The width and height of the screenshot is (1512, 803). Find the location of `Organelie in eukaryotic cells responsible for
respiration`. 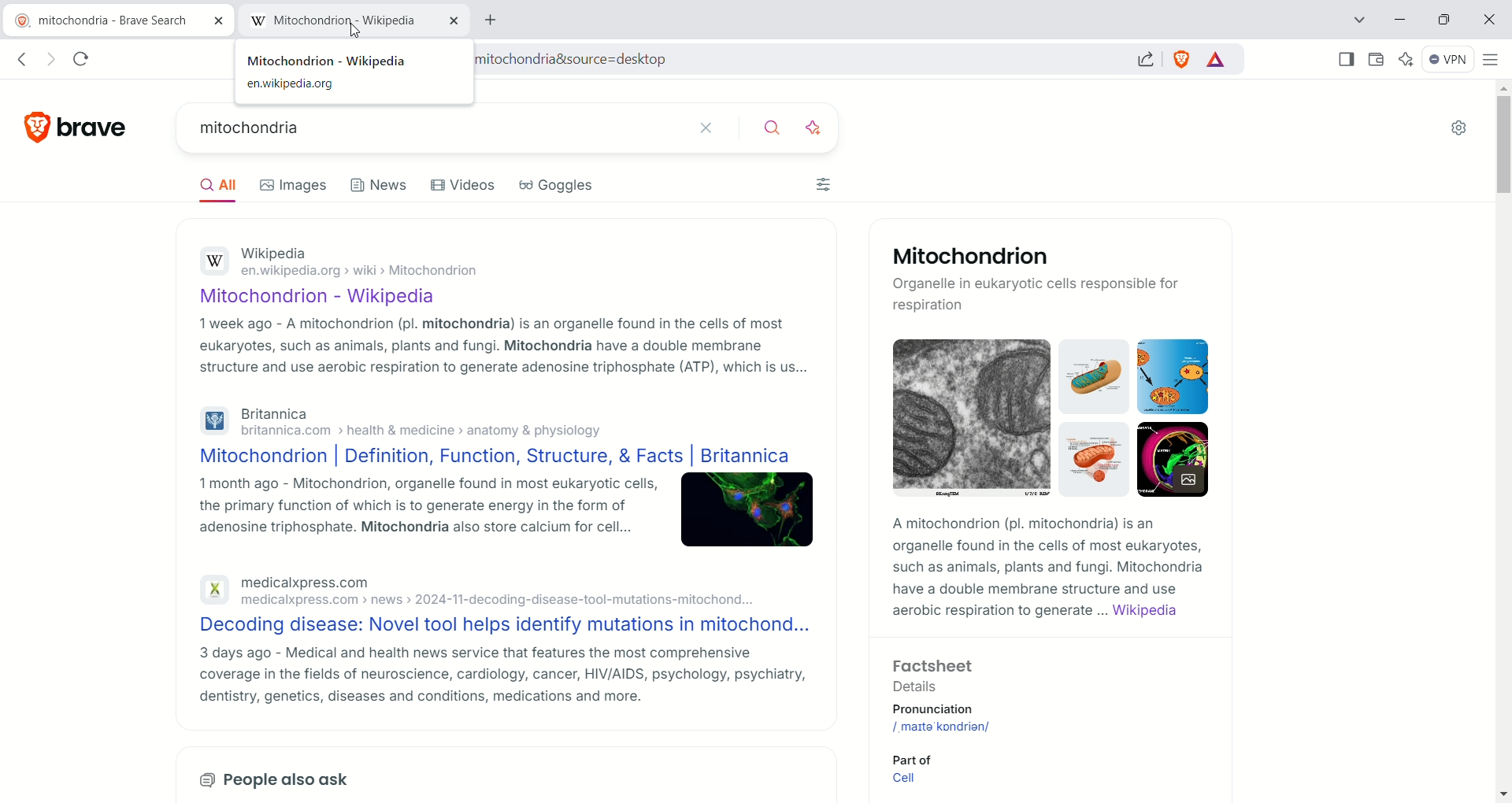

Organelie in eukaryotic cells responsible for
respiration is located at coordinates (1043, 294).